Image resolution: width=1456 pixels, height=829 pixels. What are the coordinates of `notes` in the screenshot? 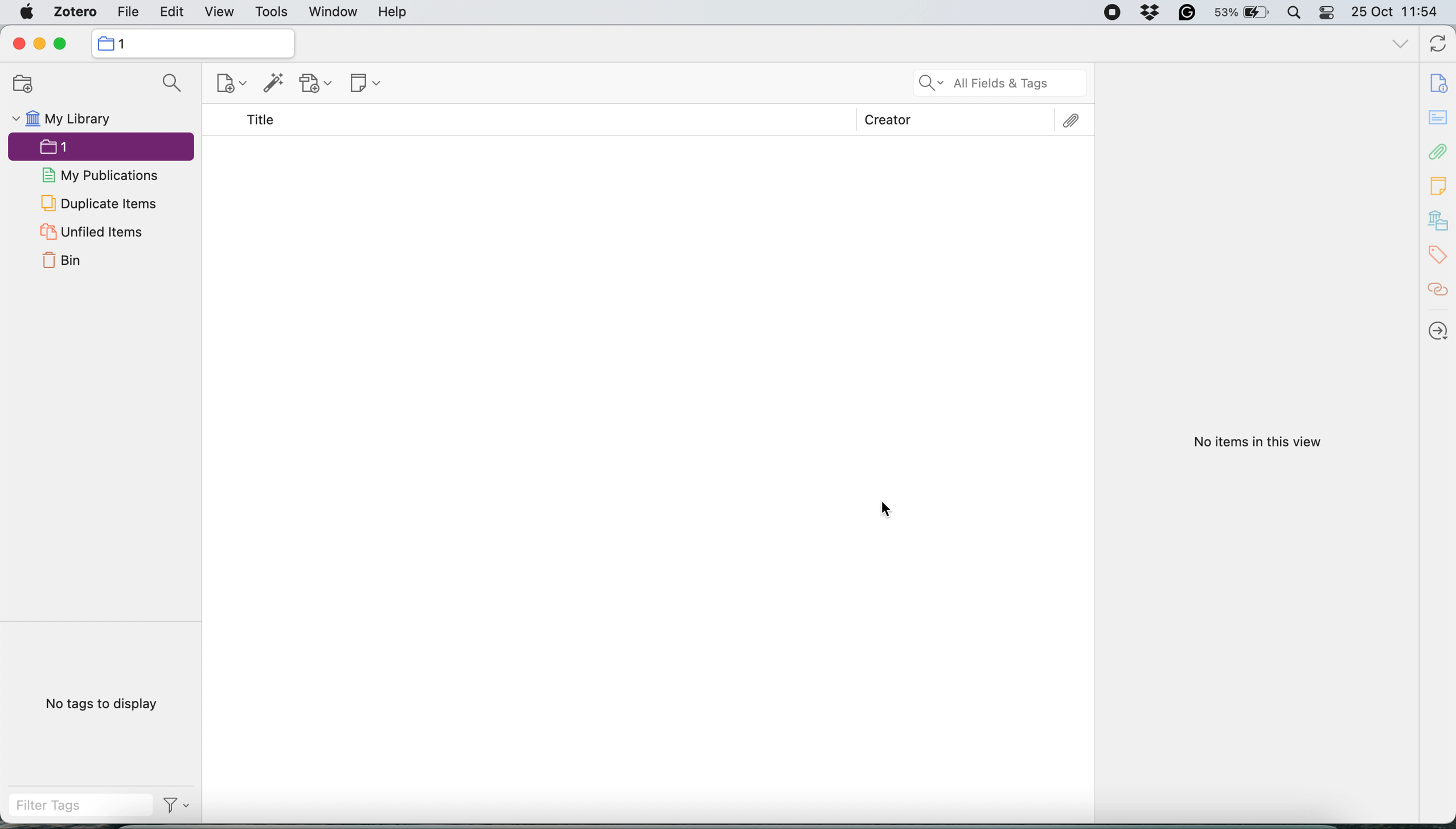 It's located at (1439, 186).